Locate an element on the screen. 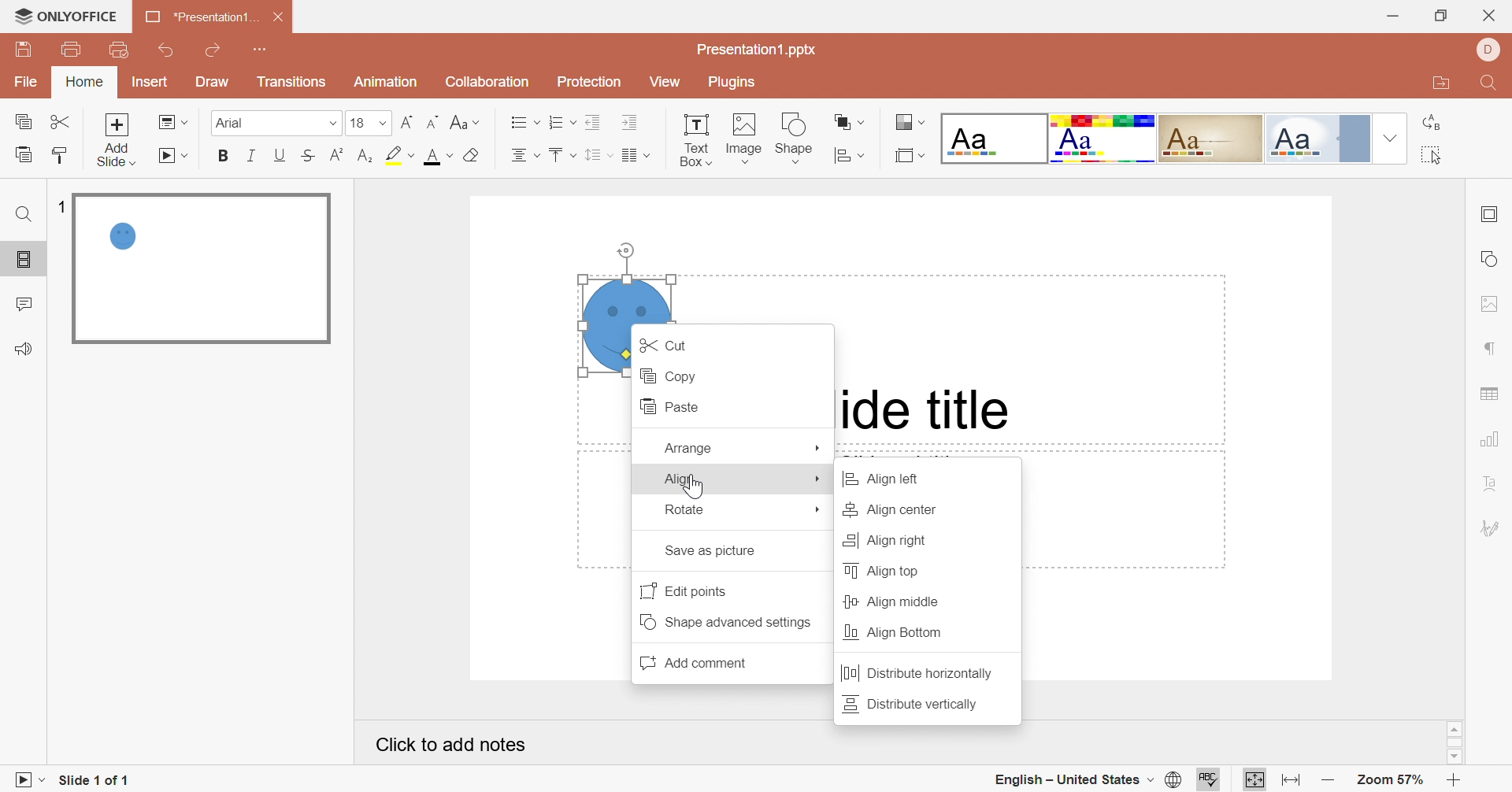  Italic is located at coordinates (252, 154).